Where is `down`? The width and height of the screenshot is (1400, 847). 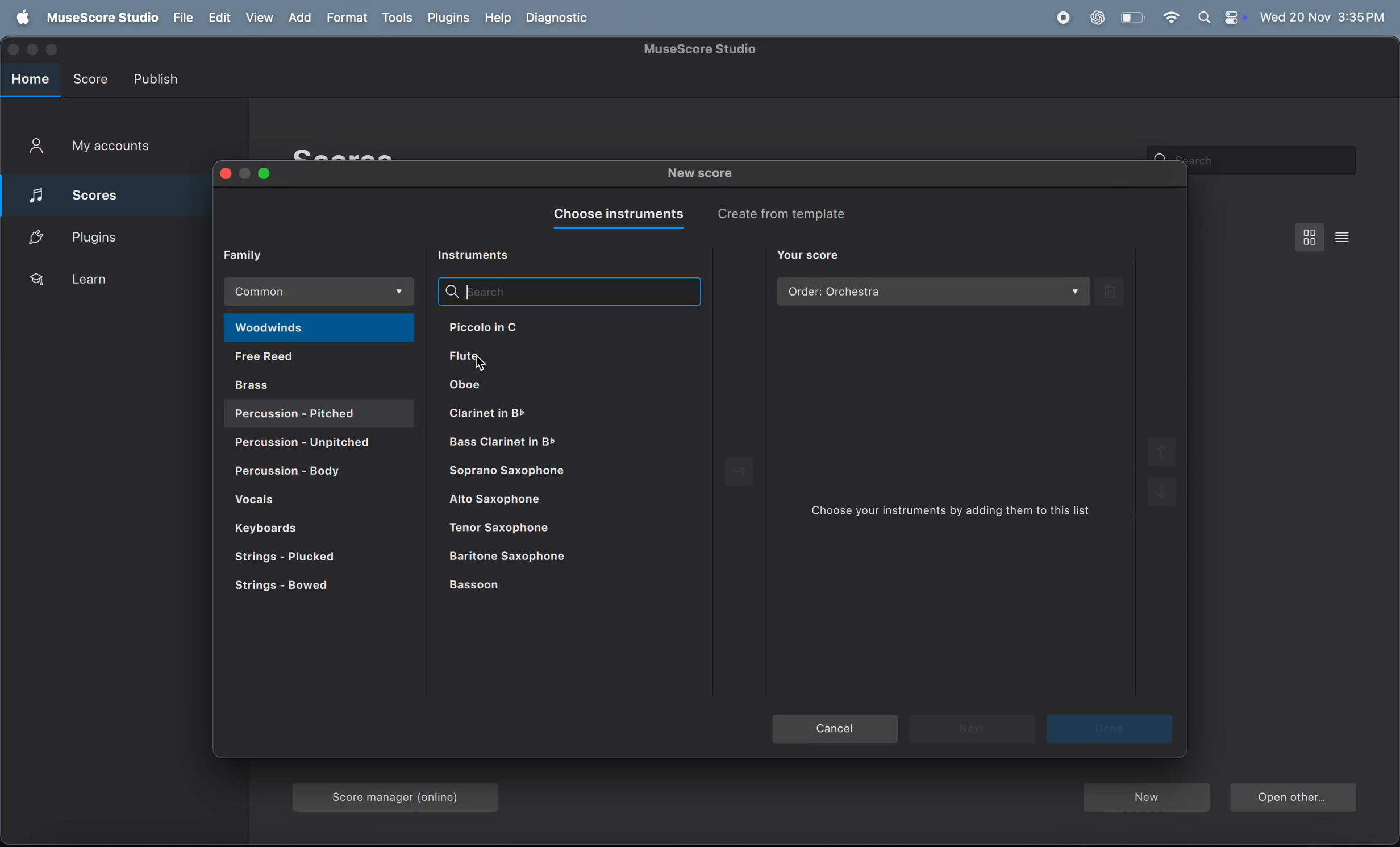
down is located at coordinates (1164, 496).